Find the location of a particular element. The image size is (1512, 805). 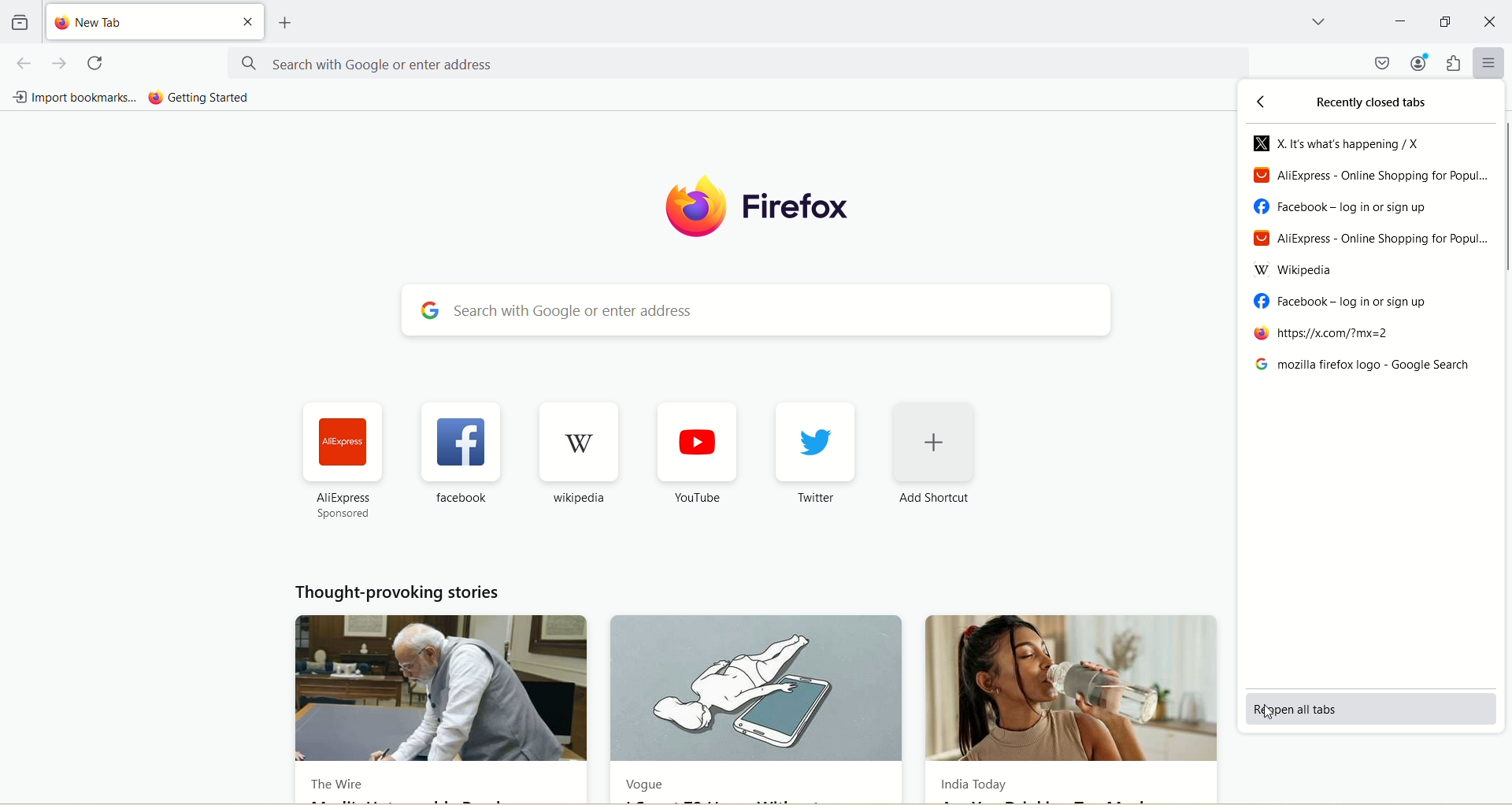

open a new tab is located at coordinates (286, 23).